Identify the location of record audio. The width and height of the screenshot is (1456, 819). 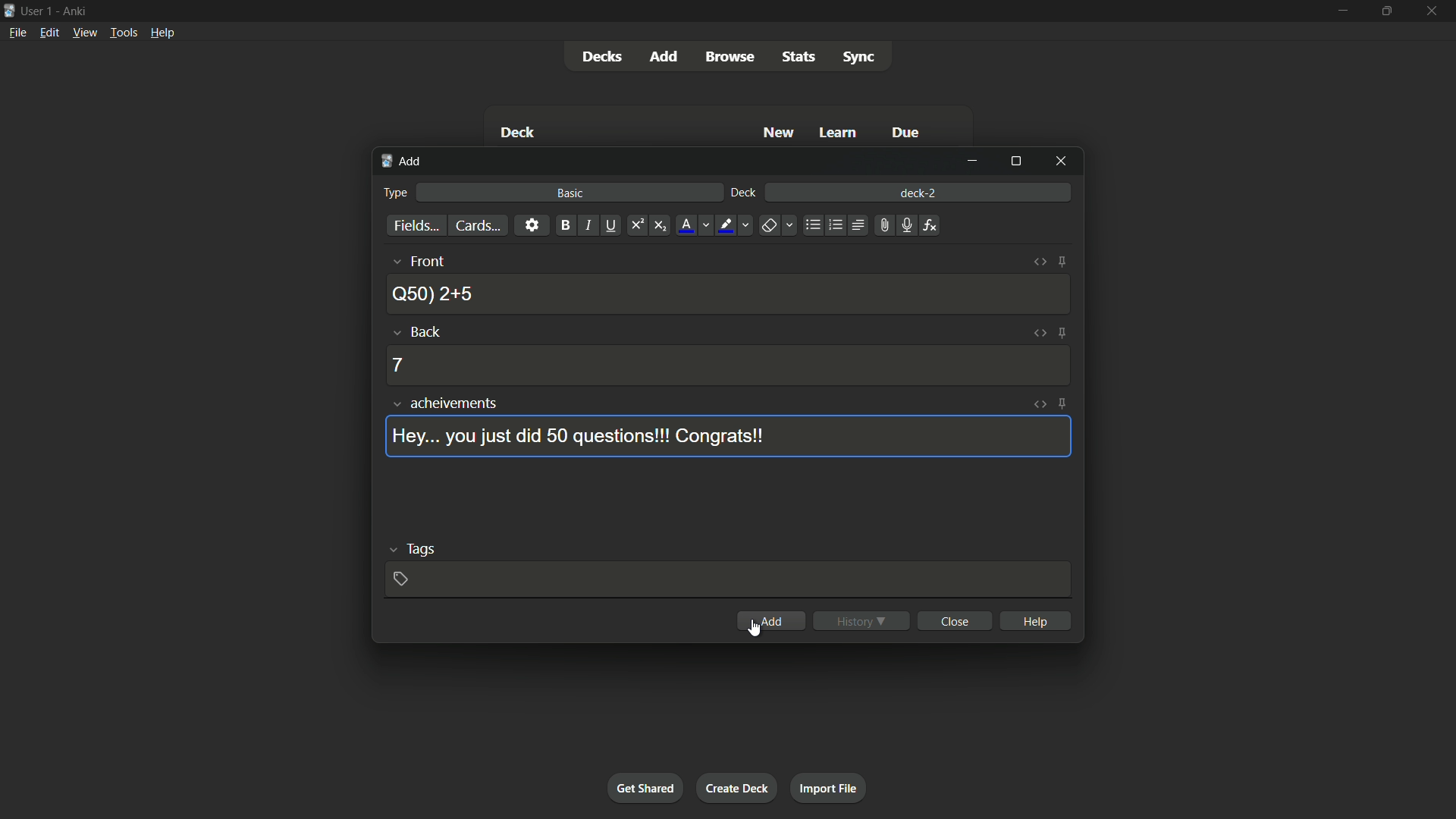
(906, 225).